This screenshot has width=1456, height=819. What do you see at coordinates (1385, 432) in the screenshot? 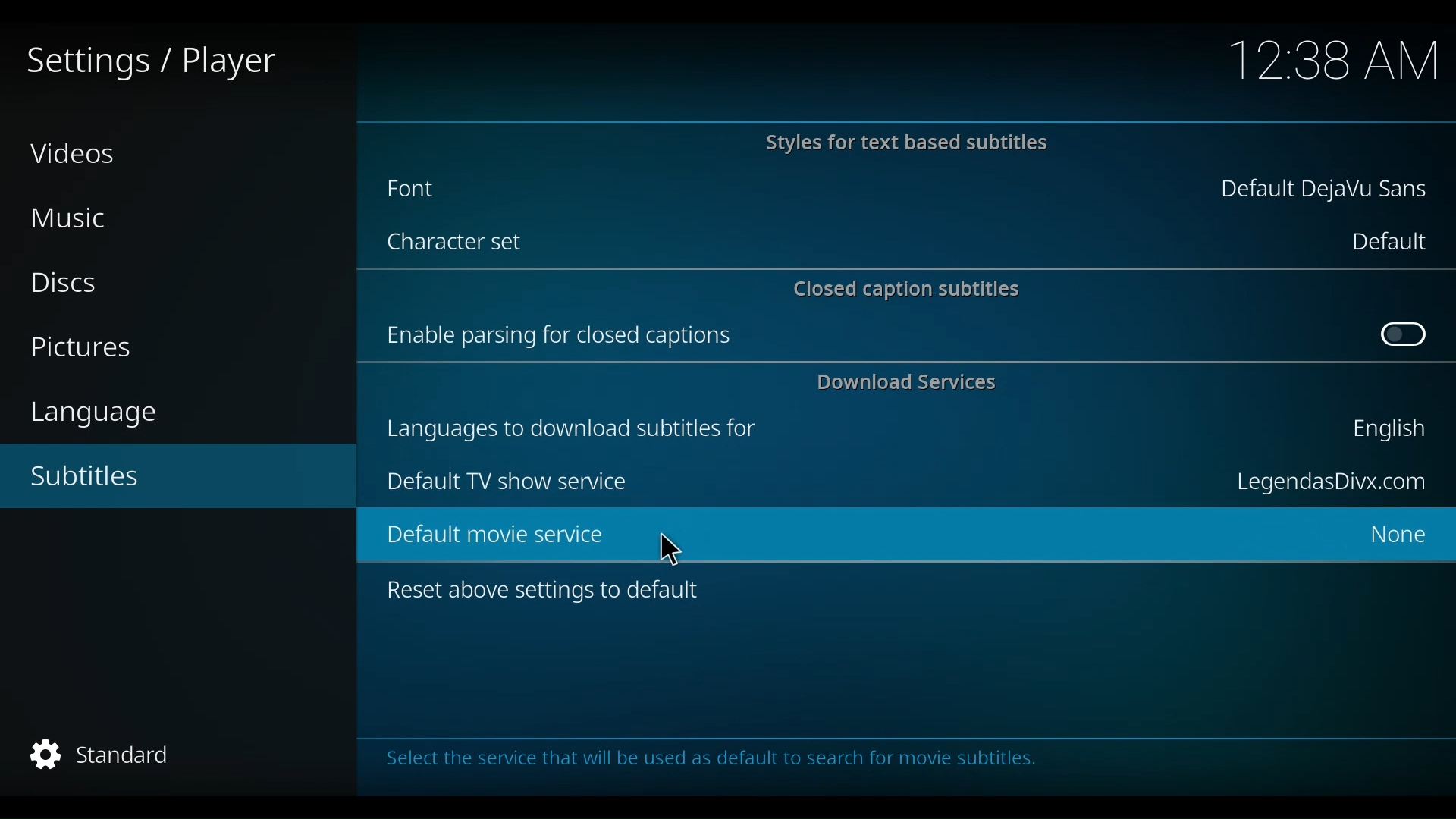
I see `English` at bounding box center [1385, 432].